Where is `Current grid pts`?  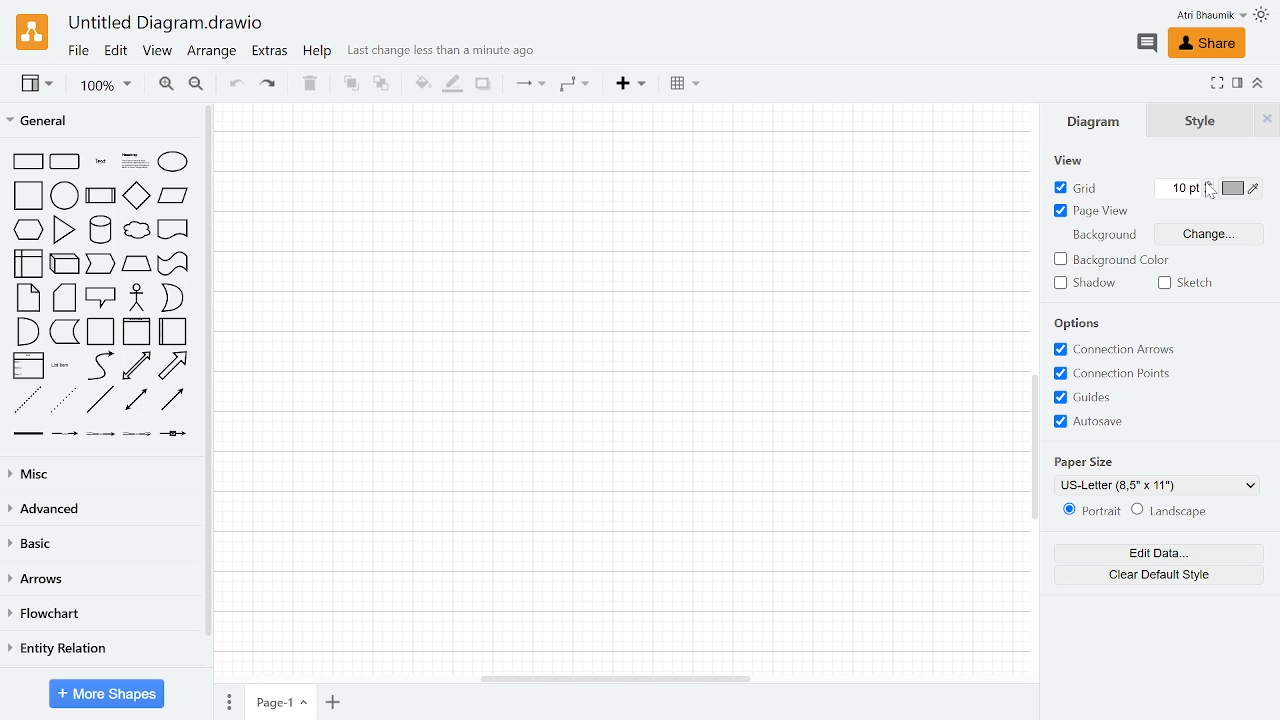
Current grid pts is located at coordinates (1178, 190).